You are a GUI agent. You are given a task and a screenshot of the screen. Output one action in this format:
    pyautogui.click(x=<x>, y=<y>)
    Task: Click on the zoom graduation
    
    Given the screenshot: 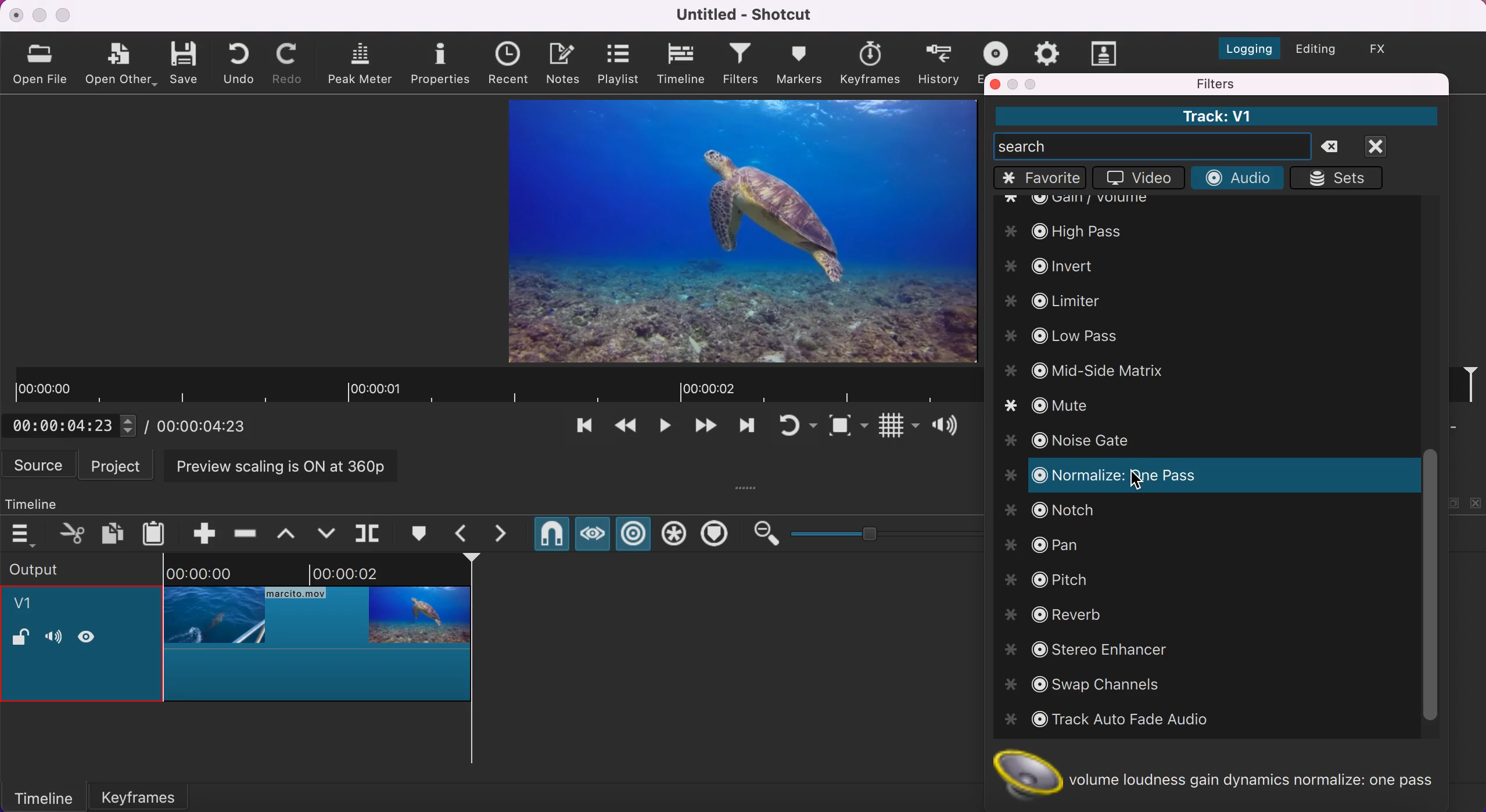 What is the action you would take?
    pyautogui.click(x=884, y=531)
    